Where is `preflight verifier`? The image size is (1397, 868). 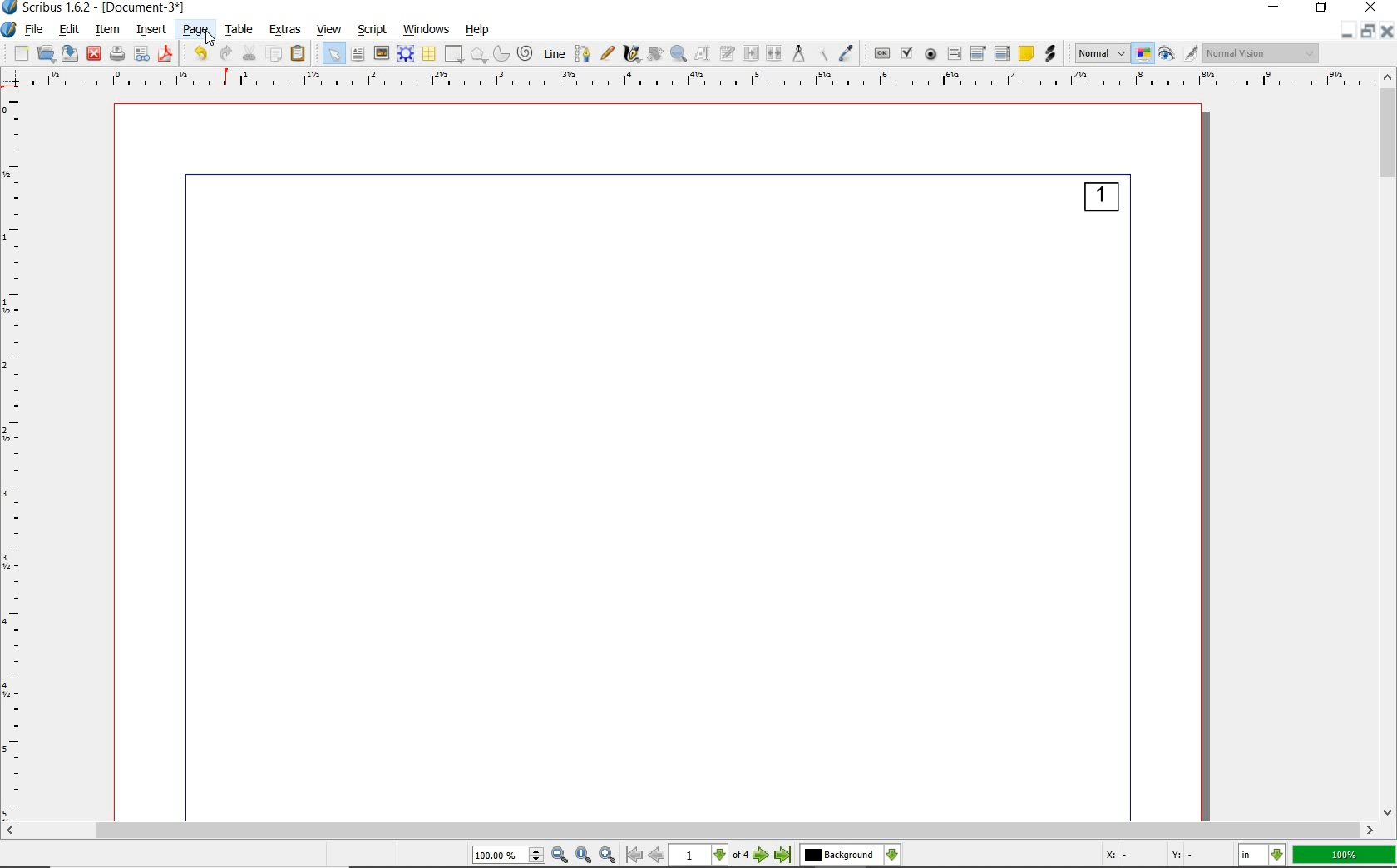 preflight verifier is located at coordinates (143, 54).